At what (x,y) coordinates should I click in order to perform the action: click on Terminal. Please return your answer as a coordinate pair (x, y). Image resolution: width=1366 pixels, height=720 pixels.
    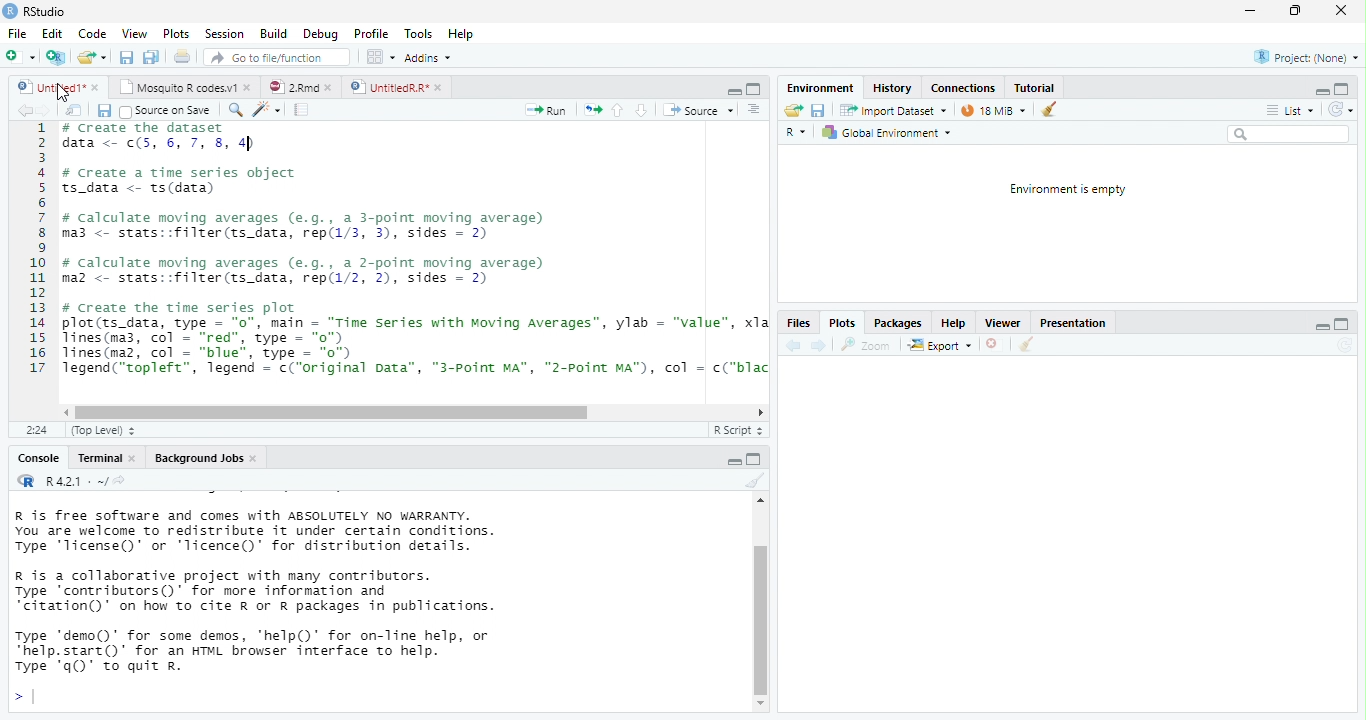
    Looking at the image, I should click on (99, 458).